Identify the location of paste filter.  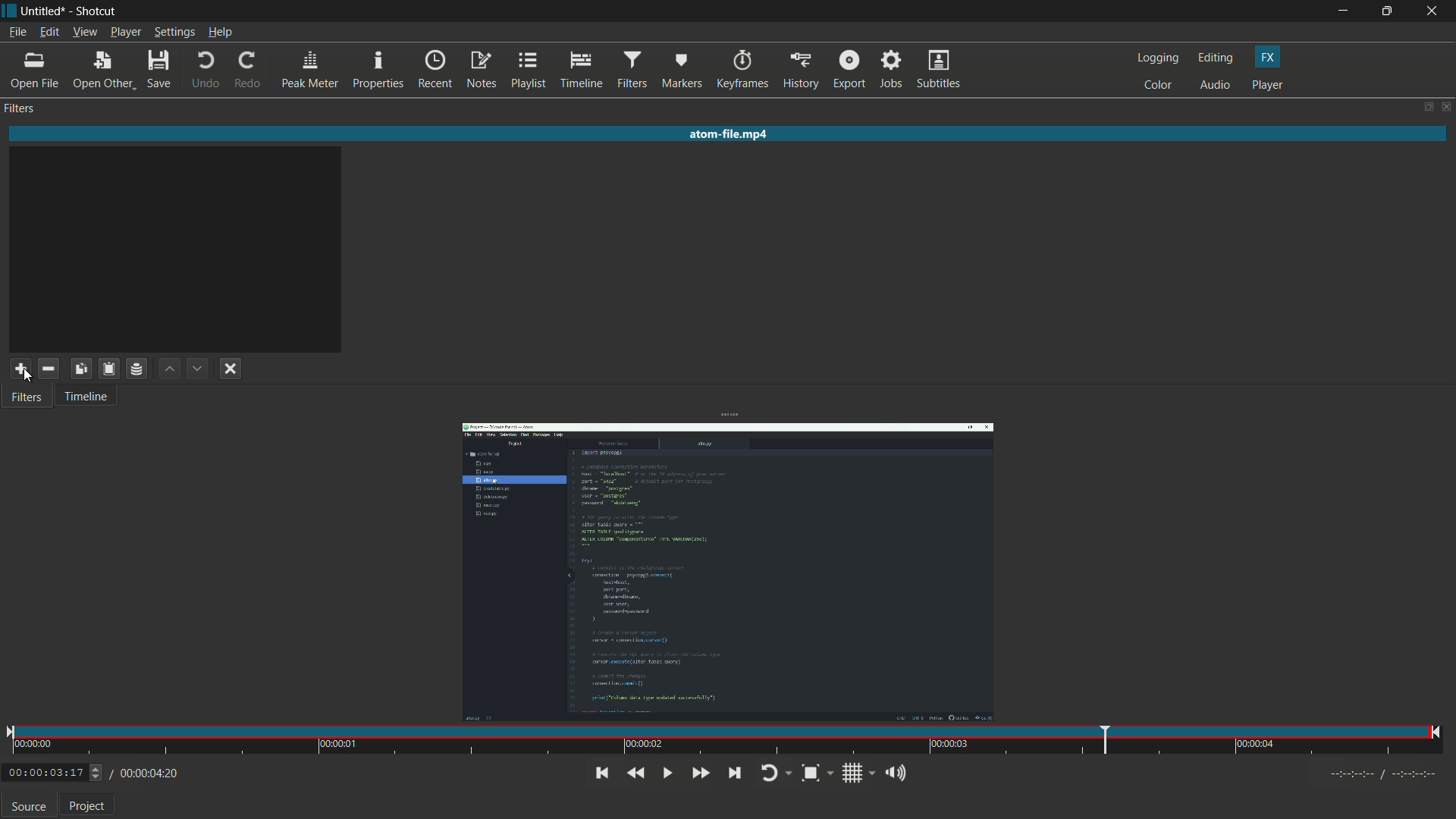
(108, 368).